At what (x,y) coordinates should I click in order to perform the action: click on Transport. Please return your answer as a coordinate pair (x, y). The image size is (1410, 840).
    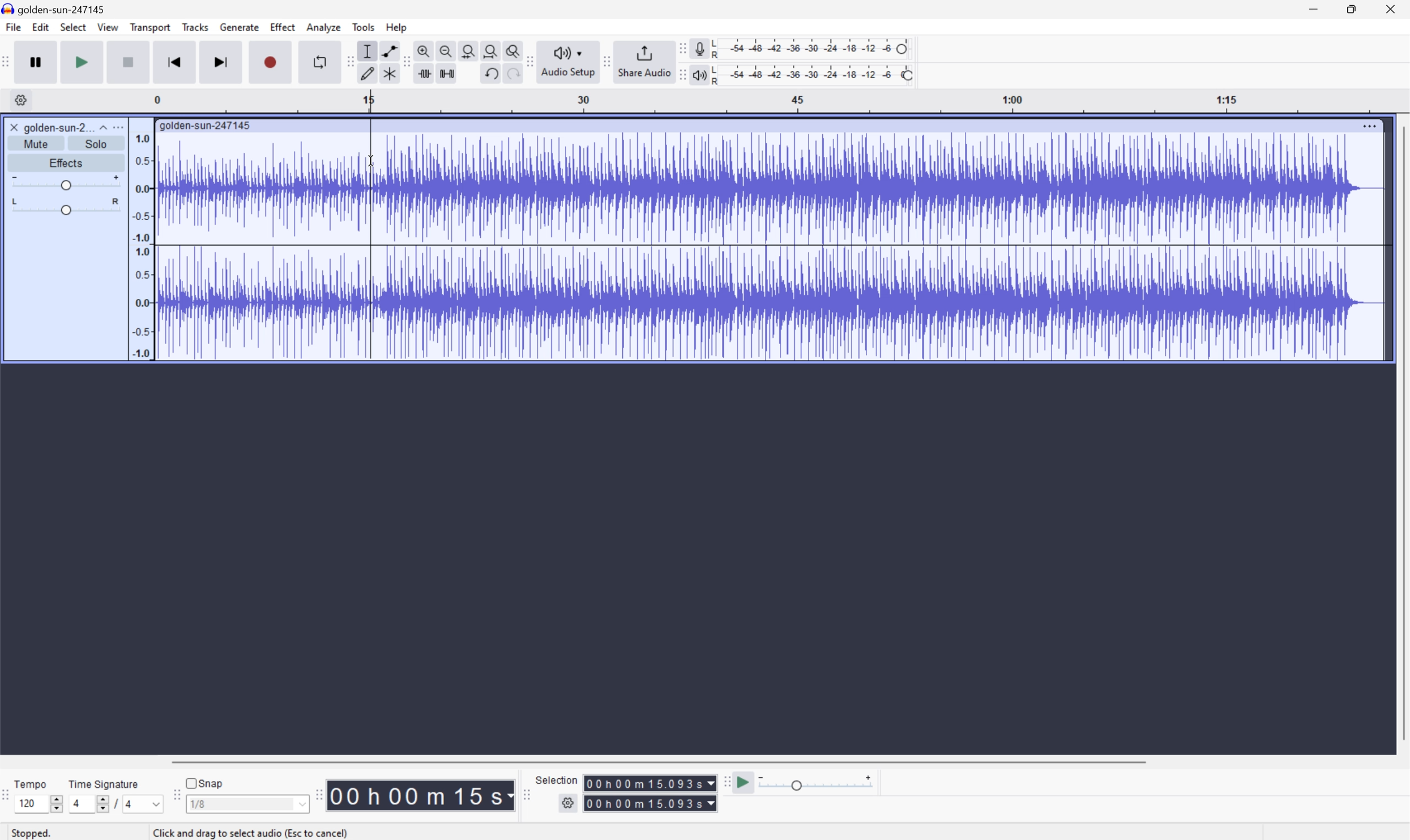
    Looking at the image, I should click on (151, 28).